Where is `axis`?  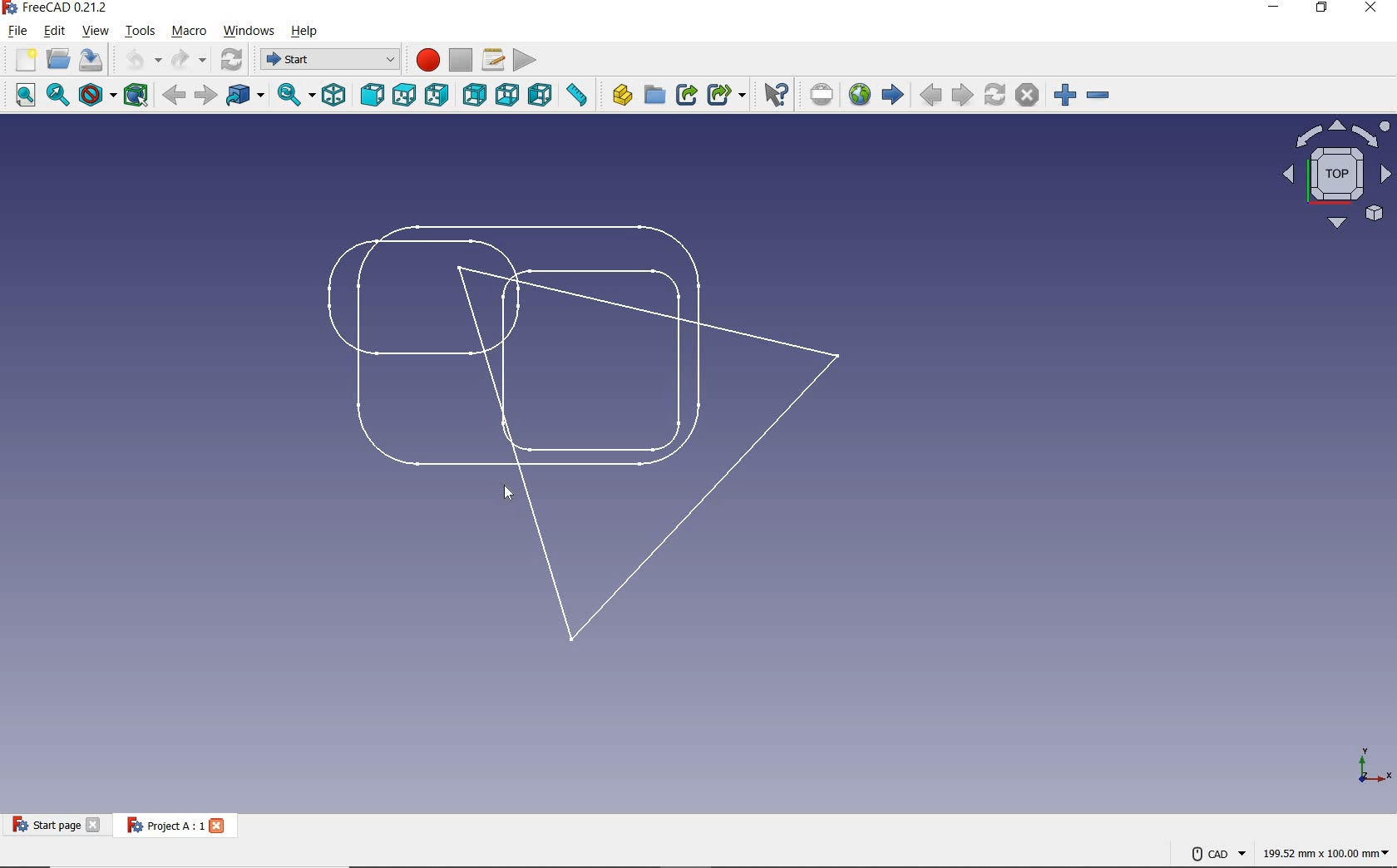 axis is located at coordinates (1375, 768).